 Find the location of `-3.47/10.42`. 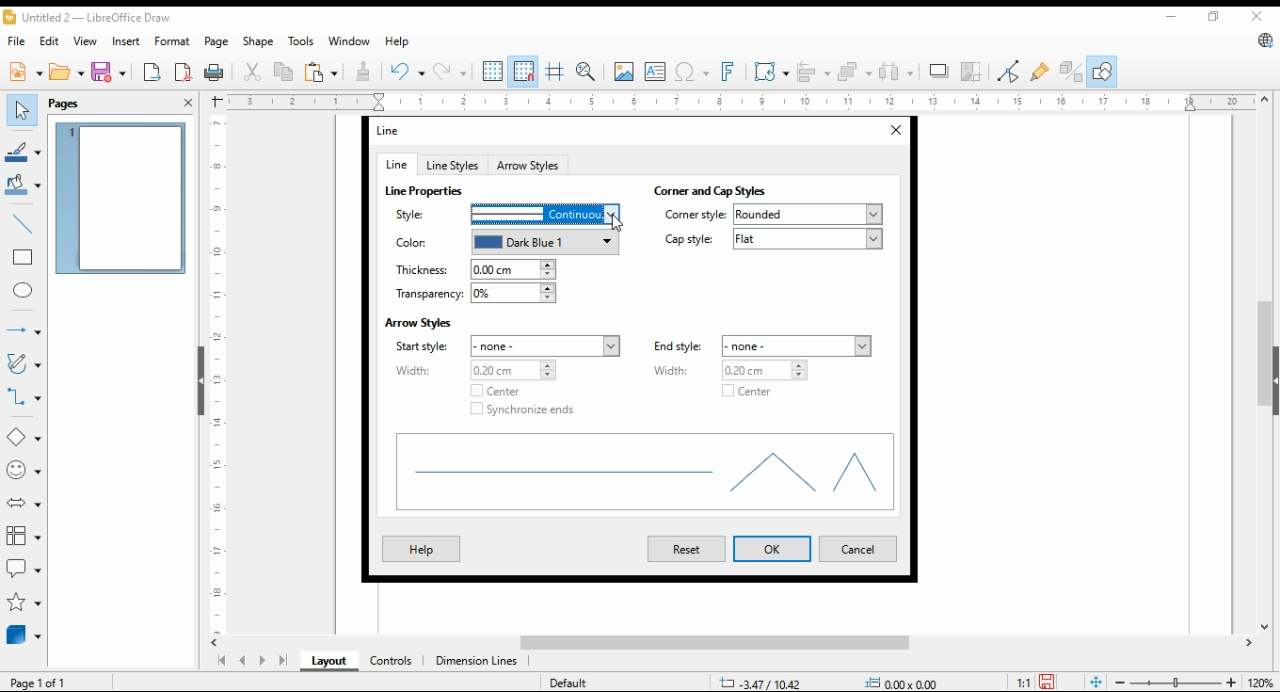

-3.47/10.42 is located at coordinates (760, 683).